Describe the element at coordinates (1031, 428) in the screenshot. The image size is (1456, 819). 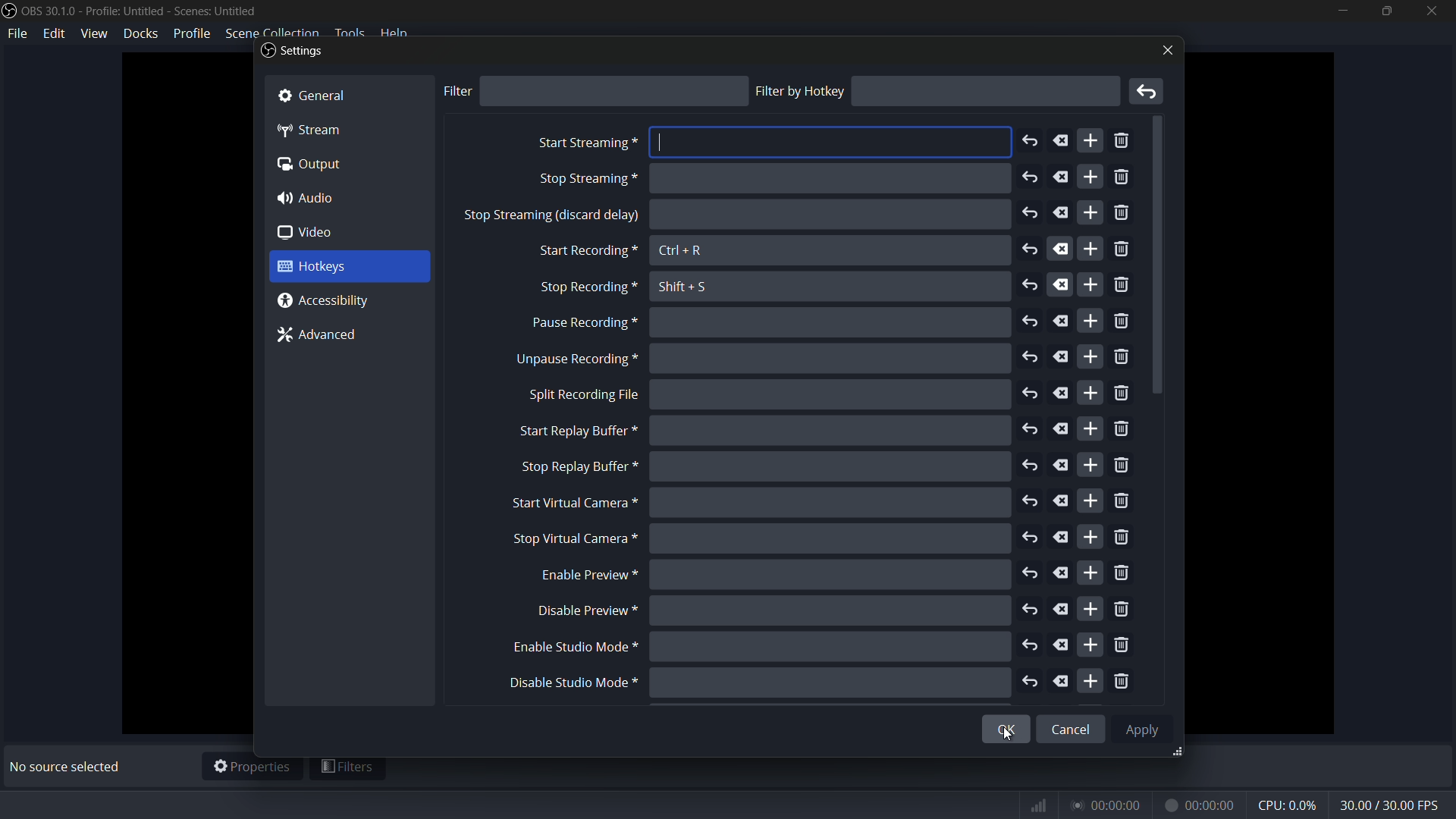
I see `undo` at that location.